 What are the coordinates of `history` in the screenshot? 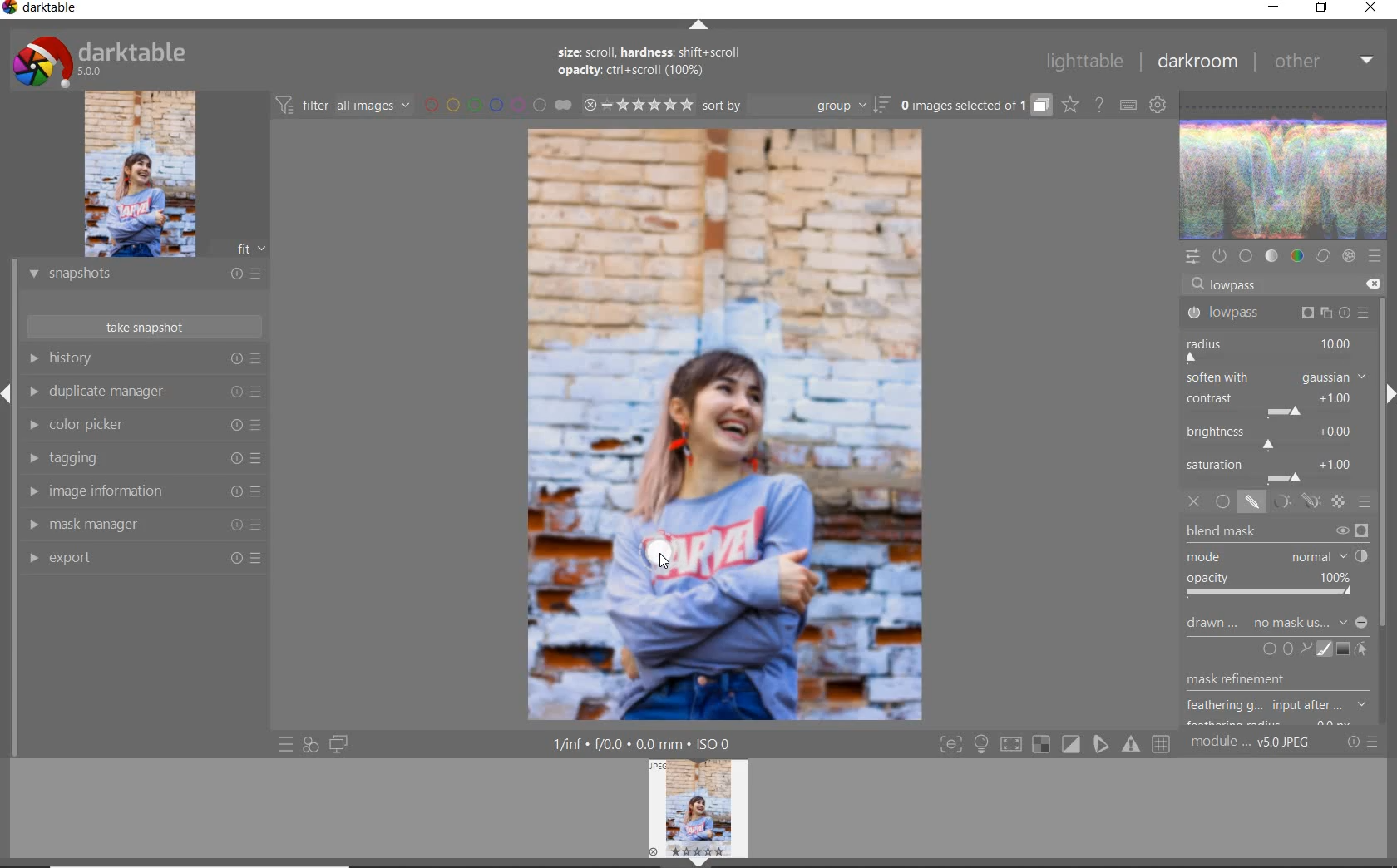 It's located at (150, 359).